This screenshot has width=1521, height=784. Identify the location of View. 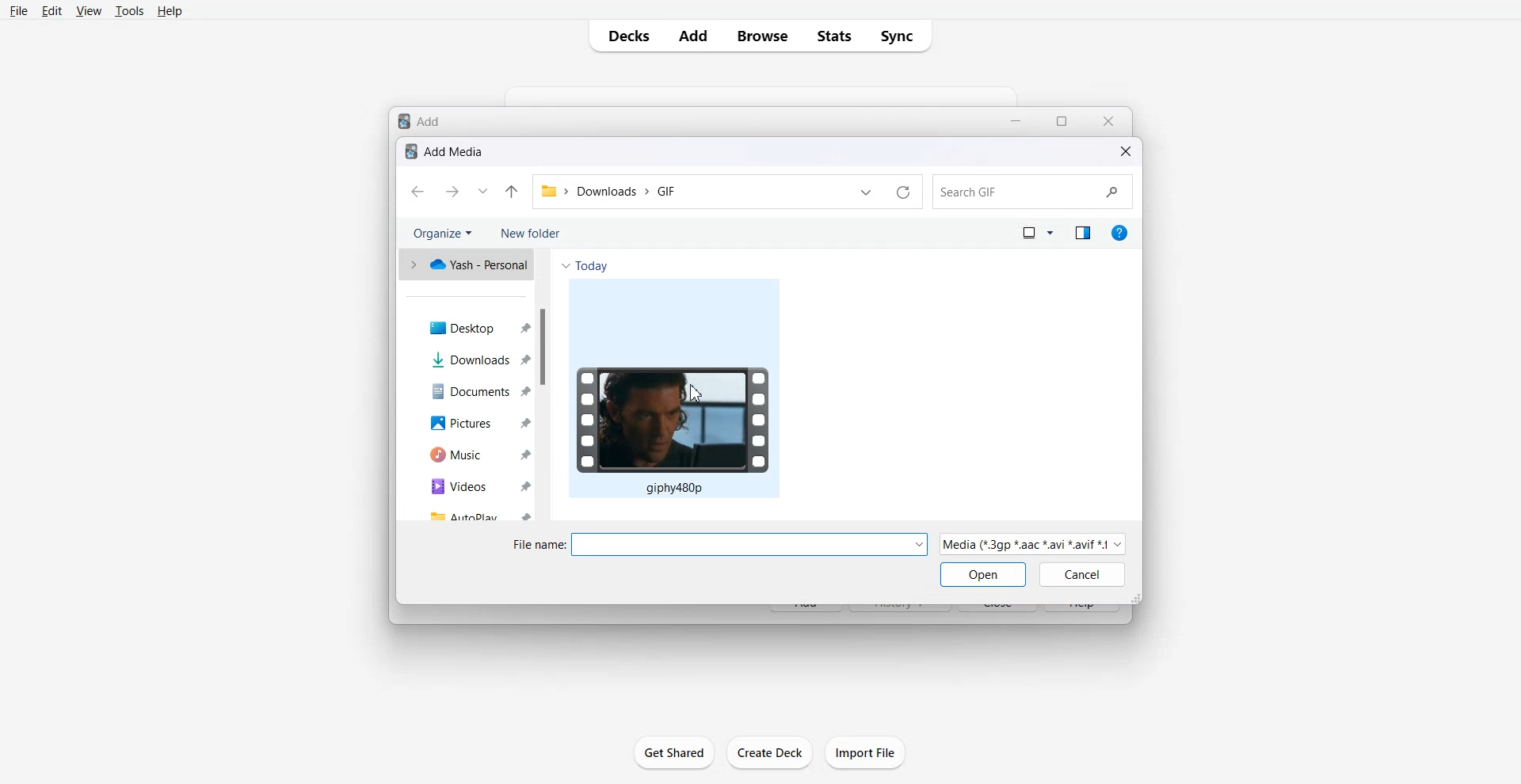
(88, 12).